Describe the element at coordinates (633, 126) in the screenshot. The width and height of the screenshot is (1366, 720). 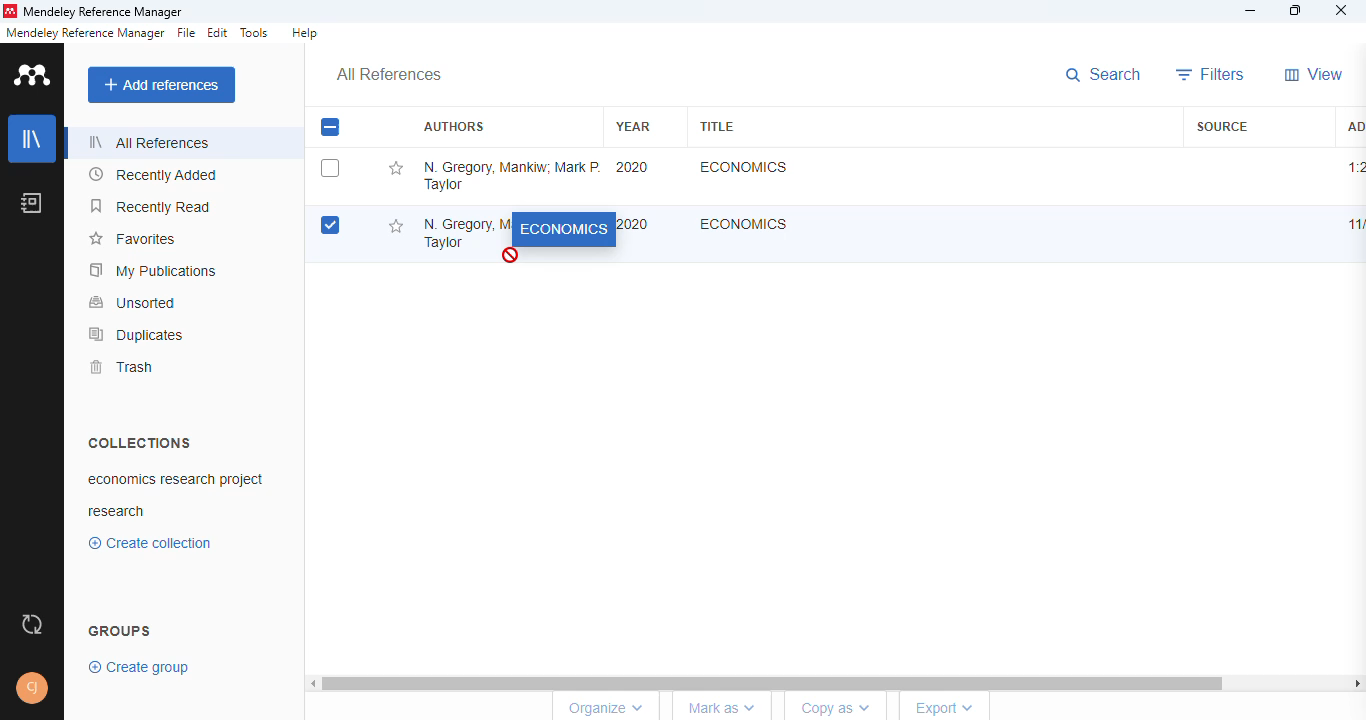
I see `year` at that location.